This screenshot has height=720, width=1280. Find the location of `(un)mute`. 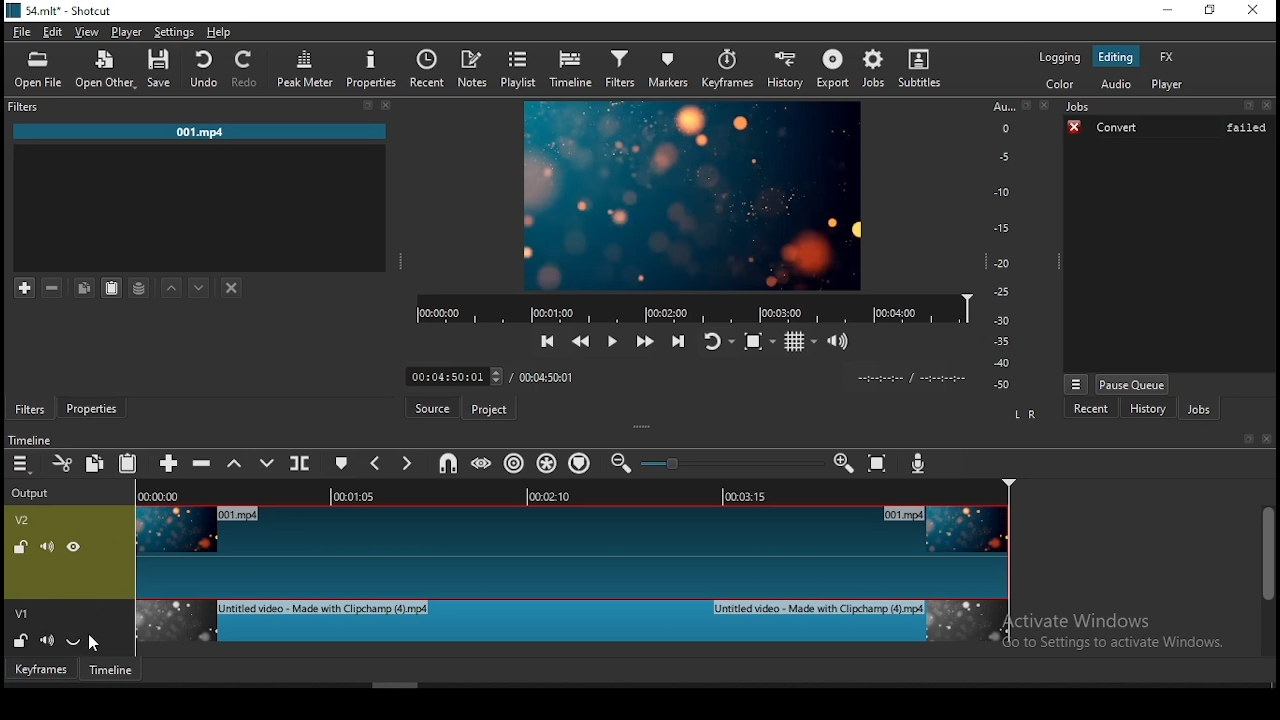

(un)mute is located at coordinates (47, 640).